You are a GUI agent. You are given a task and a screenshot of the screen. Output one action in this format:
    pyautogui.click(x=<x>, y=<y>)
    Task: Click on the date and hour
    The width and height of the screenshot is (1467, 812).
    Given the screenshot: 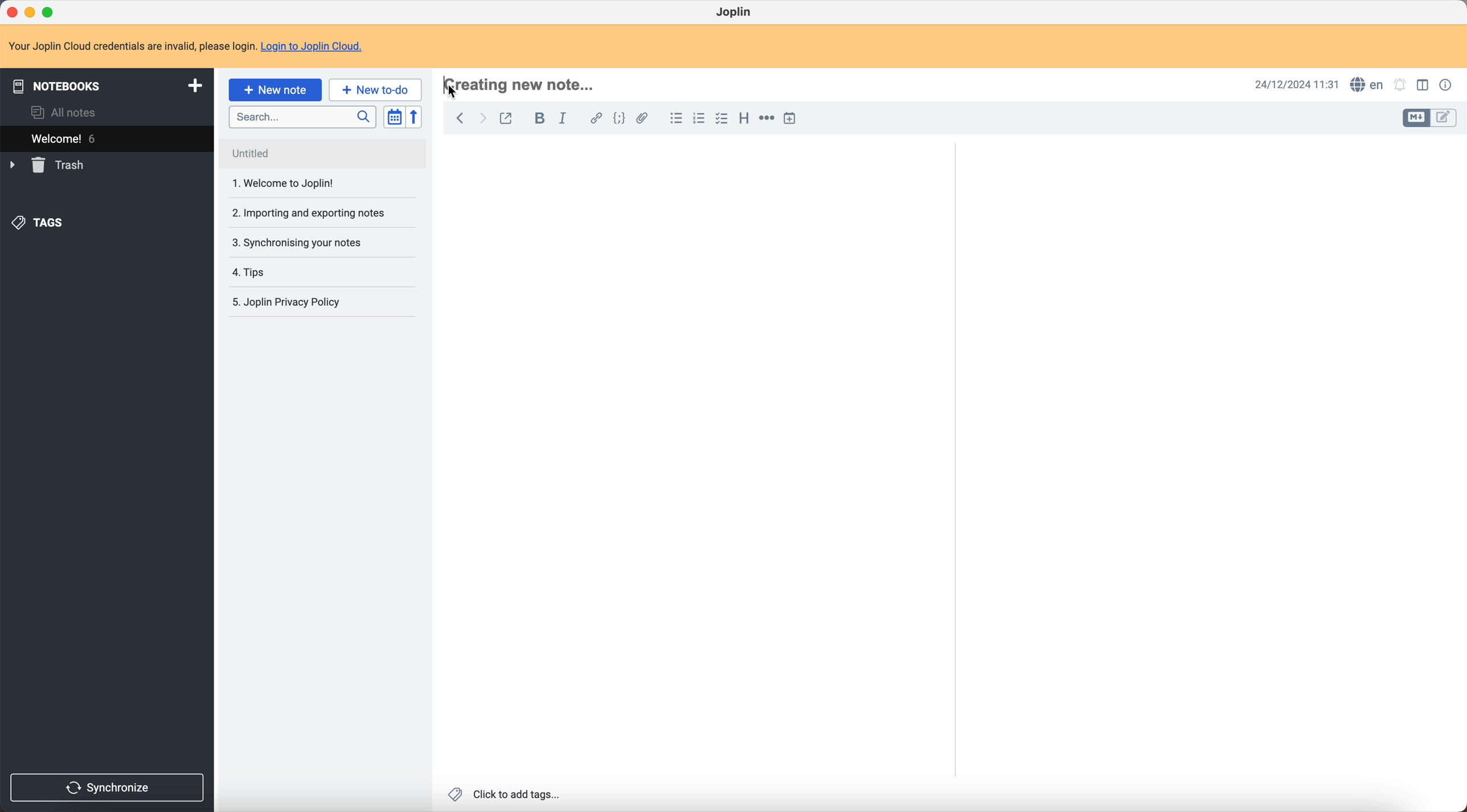 What is the action you would take?
    pyautogui.click(x=1296, y=84)
    